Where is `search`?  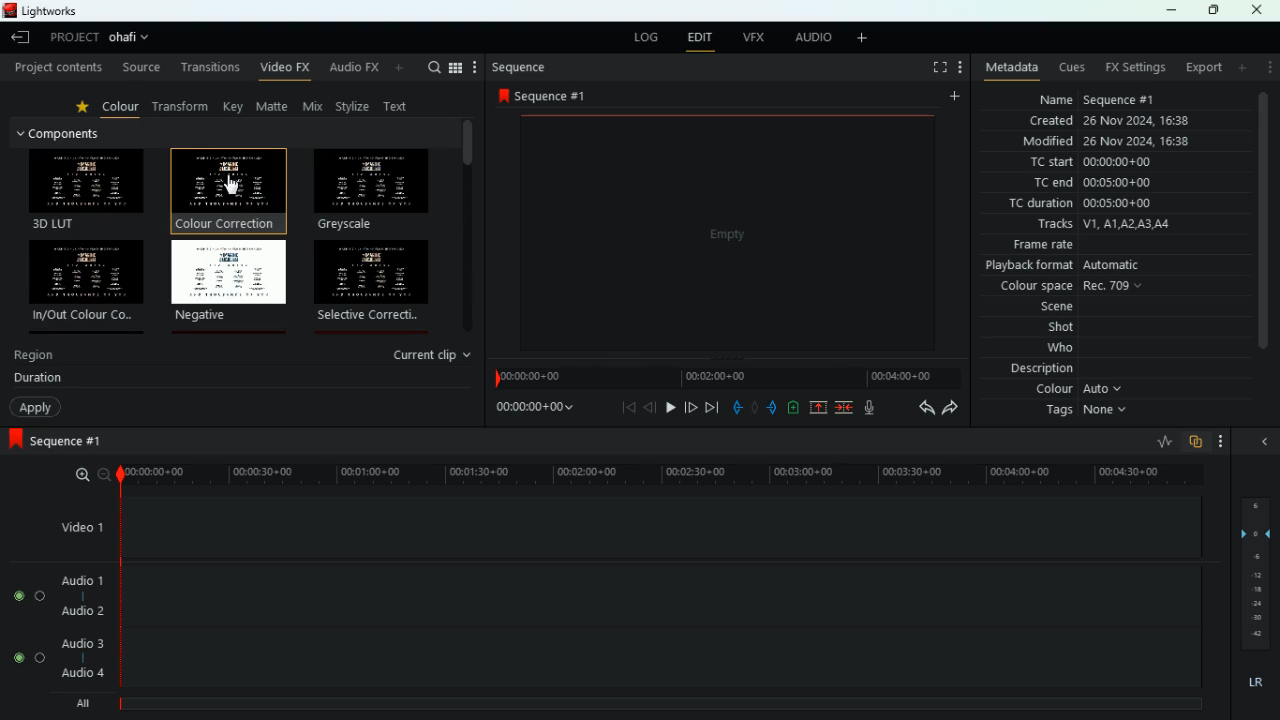 search is located at coordinates (434, 67).